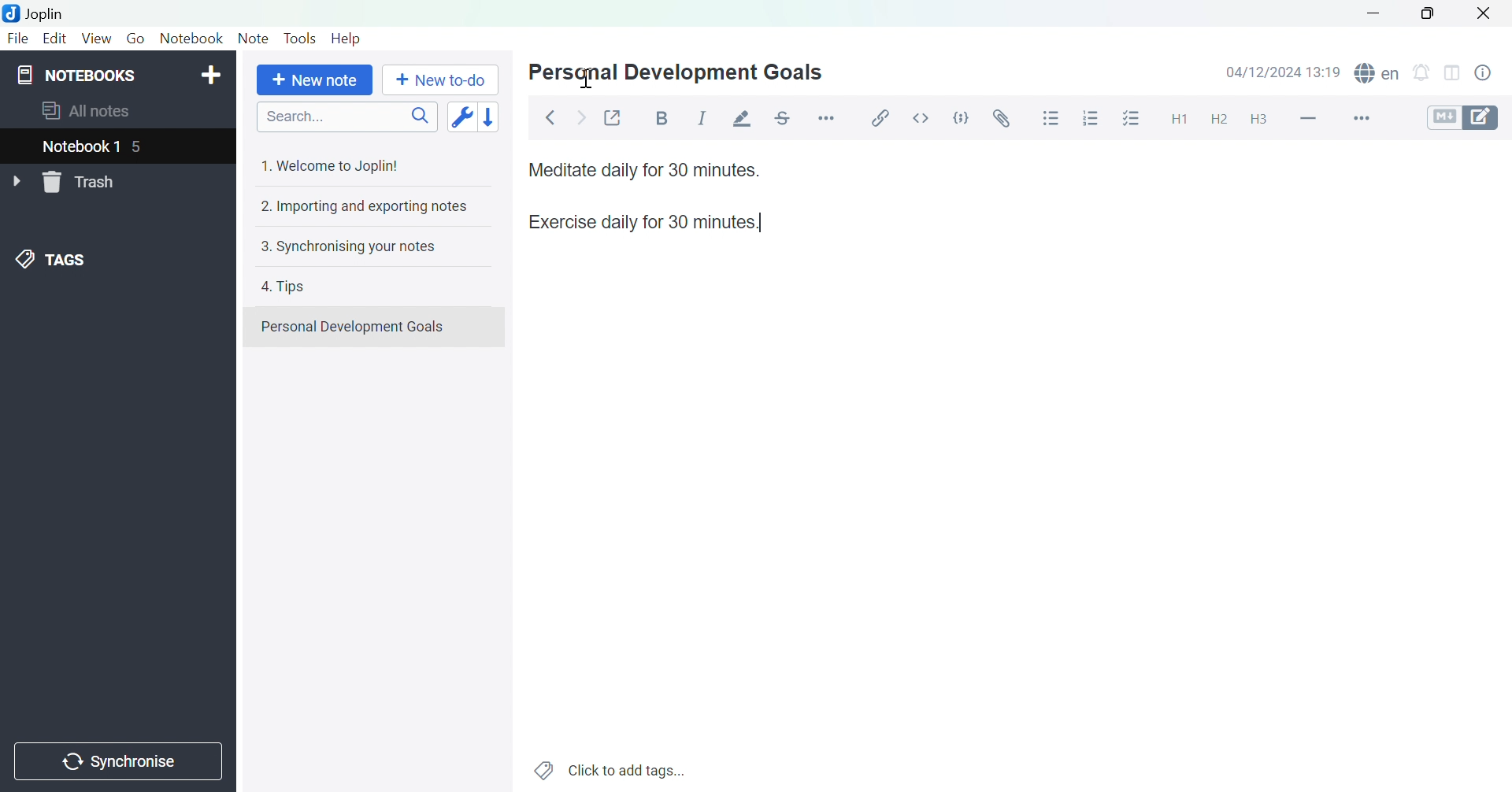 The image size is (1512, 792). I want to click on aLL NOTES, so click(95, 112).